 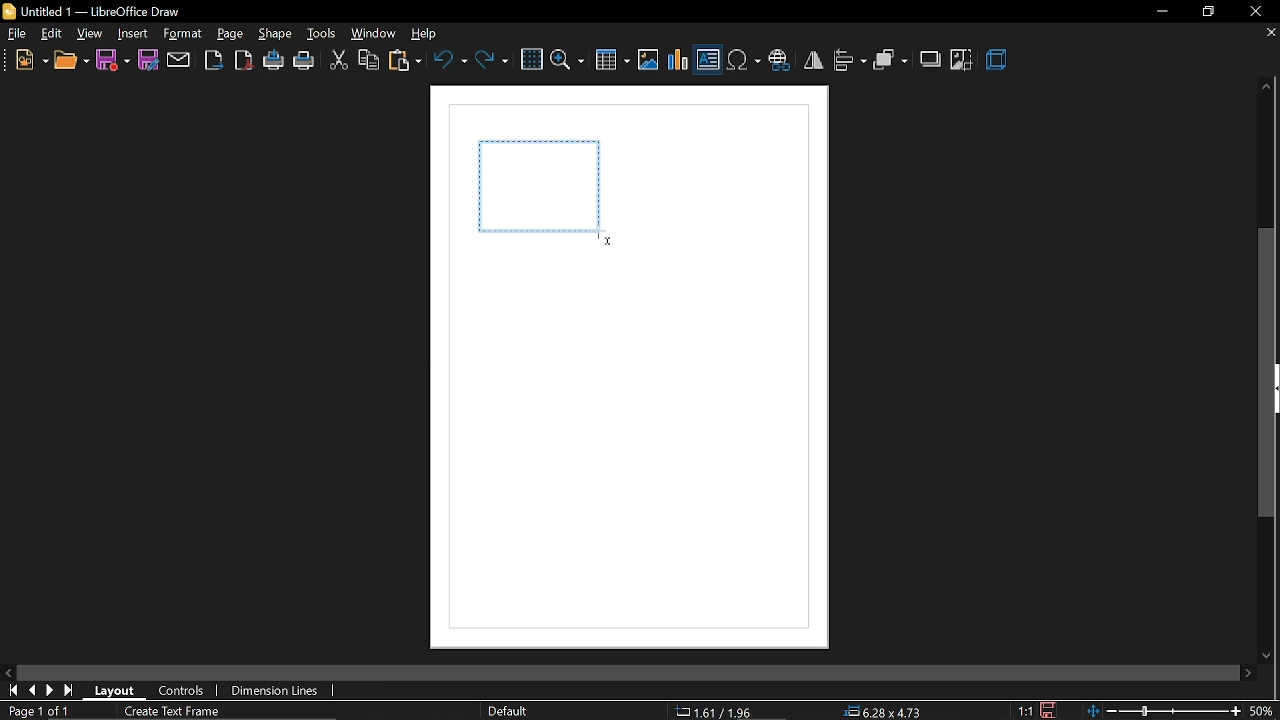 What do you see at coordinates (406, 63) in the screenshot?
I see `paste` at bounding box center [406, 63].